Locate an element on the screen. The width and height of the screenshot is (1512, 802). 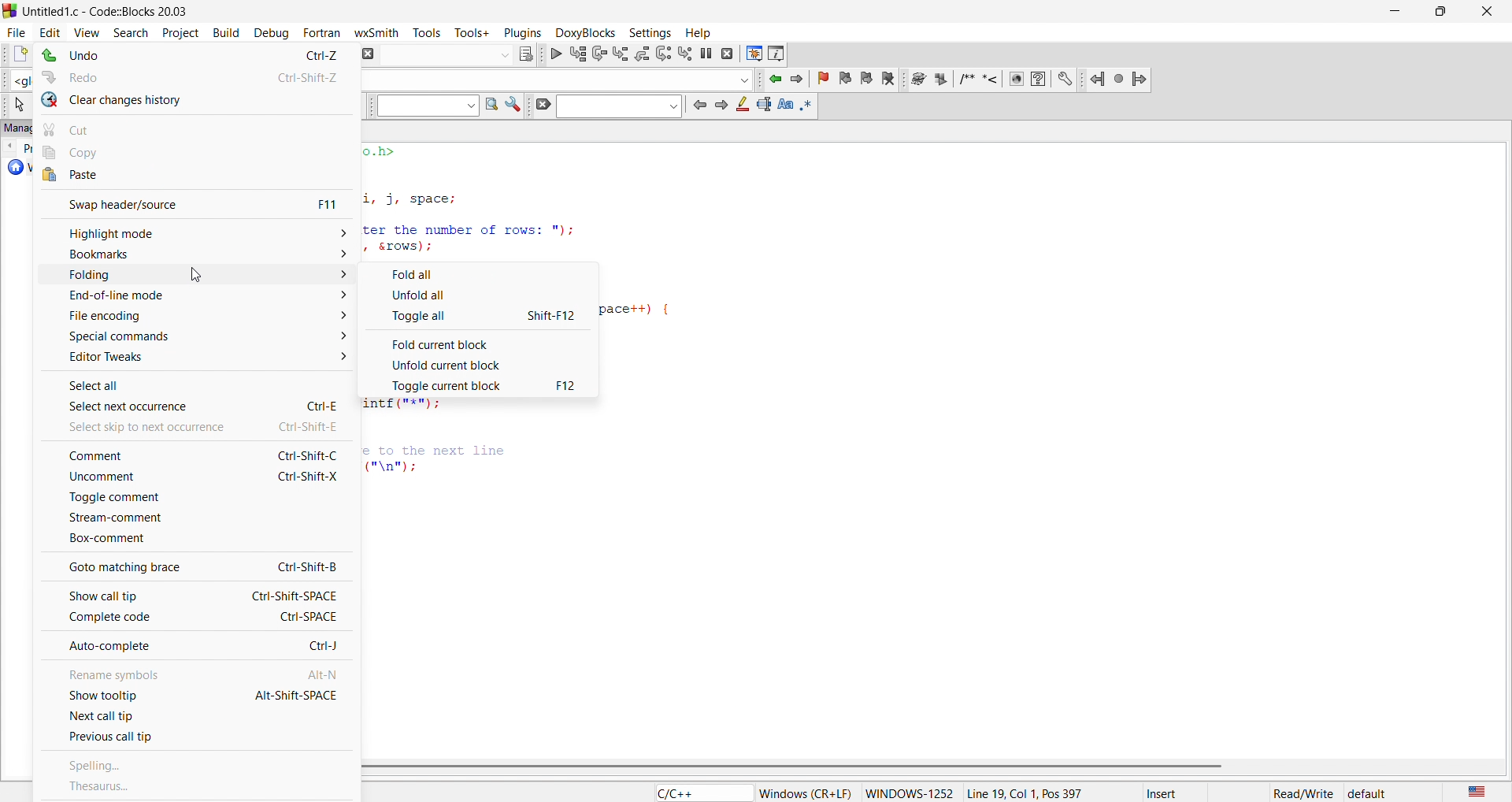
box comment is located at coordinates (192, 540).